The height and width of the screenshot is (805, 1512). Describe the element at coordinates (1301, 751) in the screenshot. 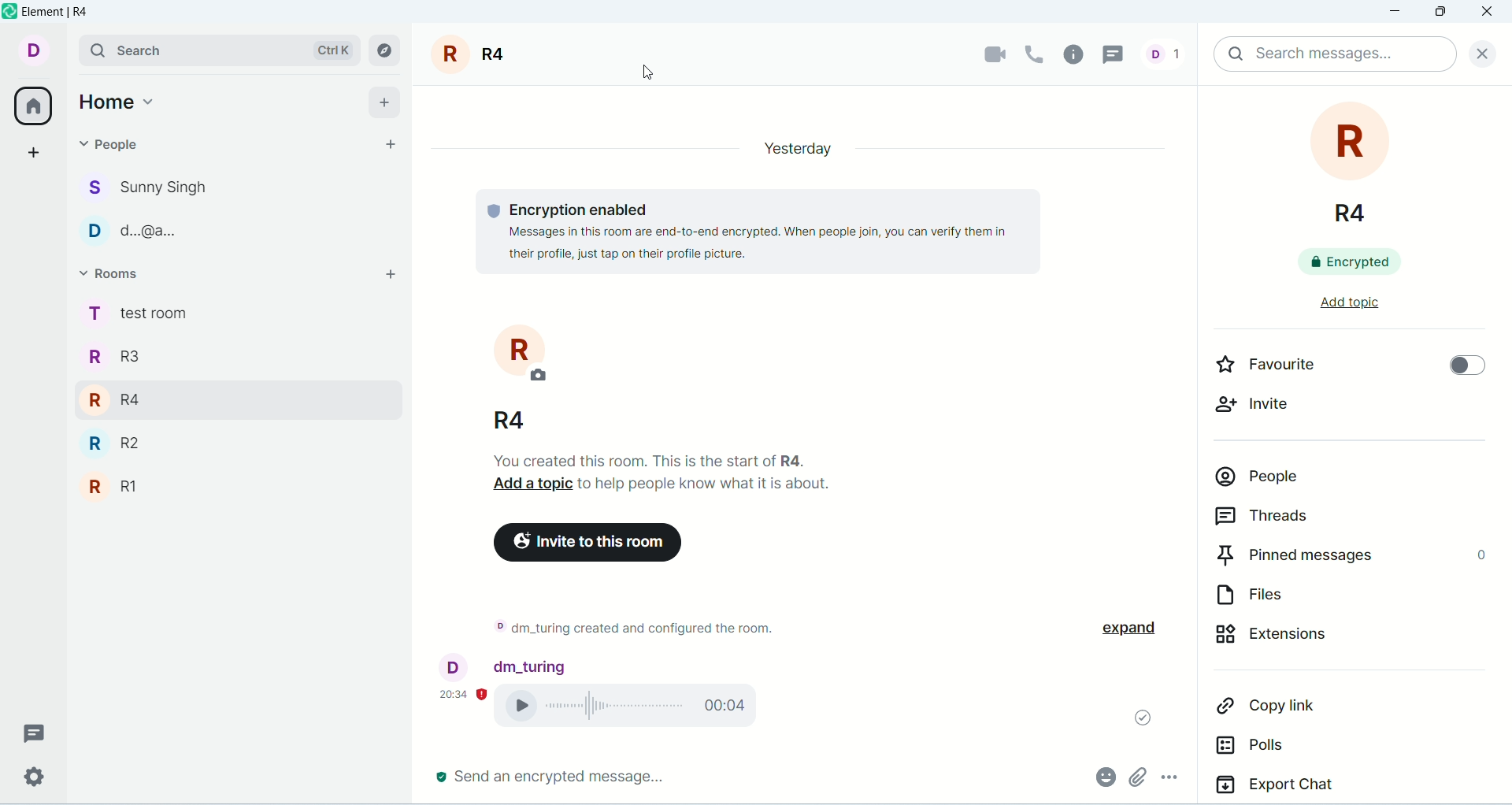

I see `polls` at that location.